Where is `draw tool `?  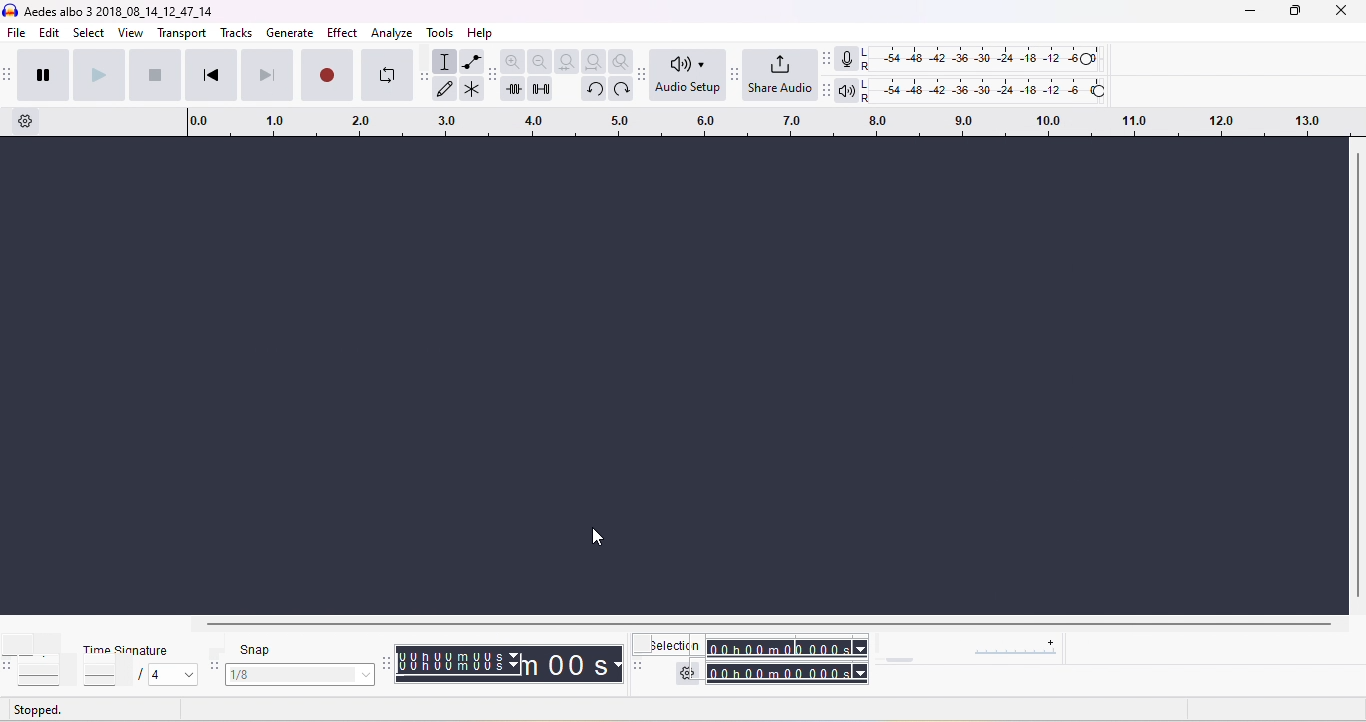 draw tool  is located at coordinates (445, 87).